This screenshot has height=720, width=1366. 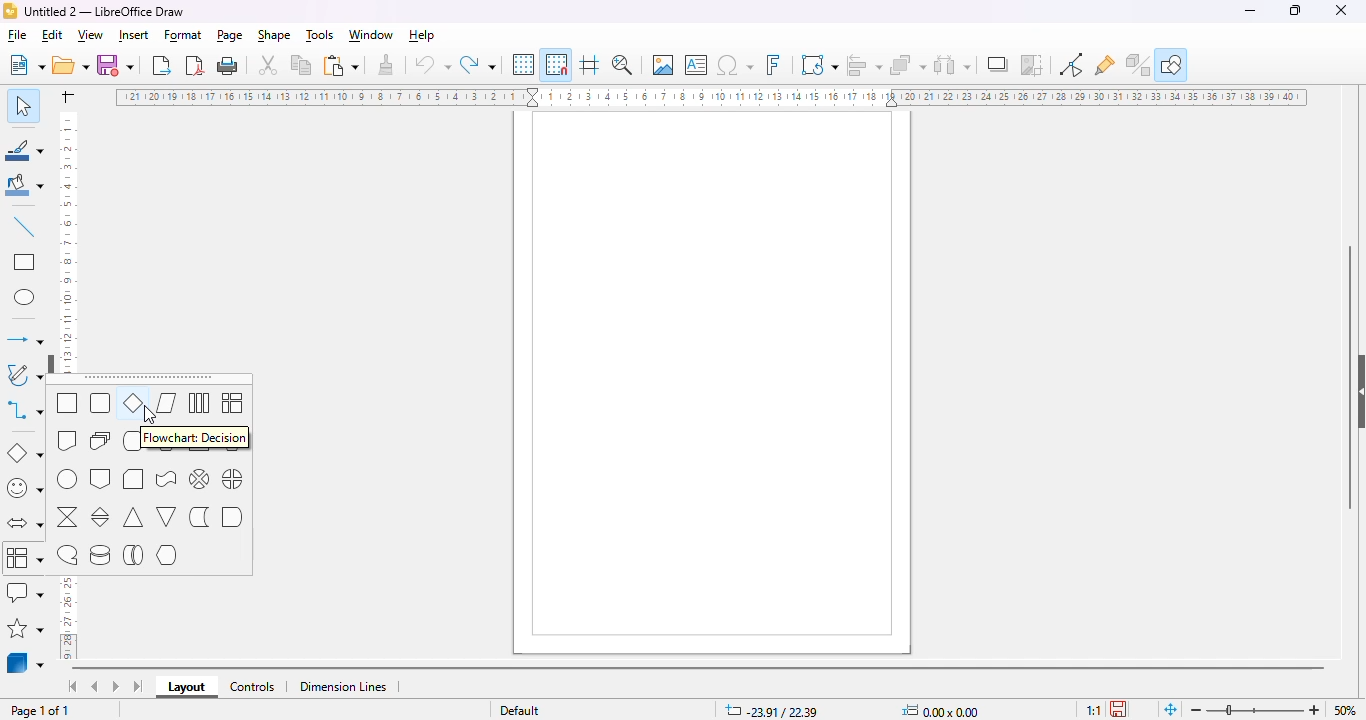 I want to click on flowchart: punched tape, so click(x=166, y=479).